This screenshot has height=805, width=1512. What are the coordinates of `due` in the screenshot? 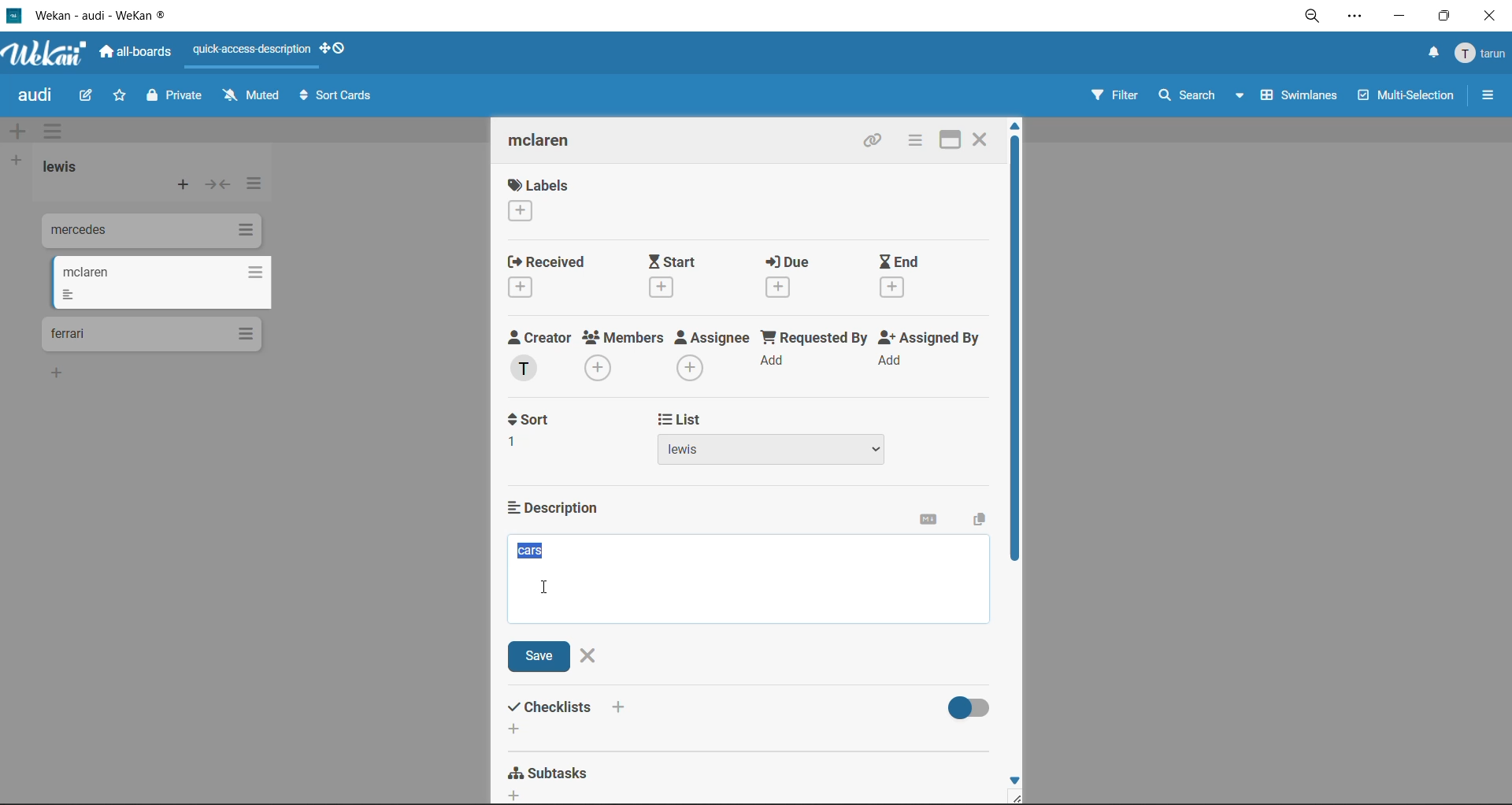 It's located at (802, 276).